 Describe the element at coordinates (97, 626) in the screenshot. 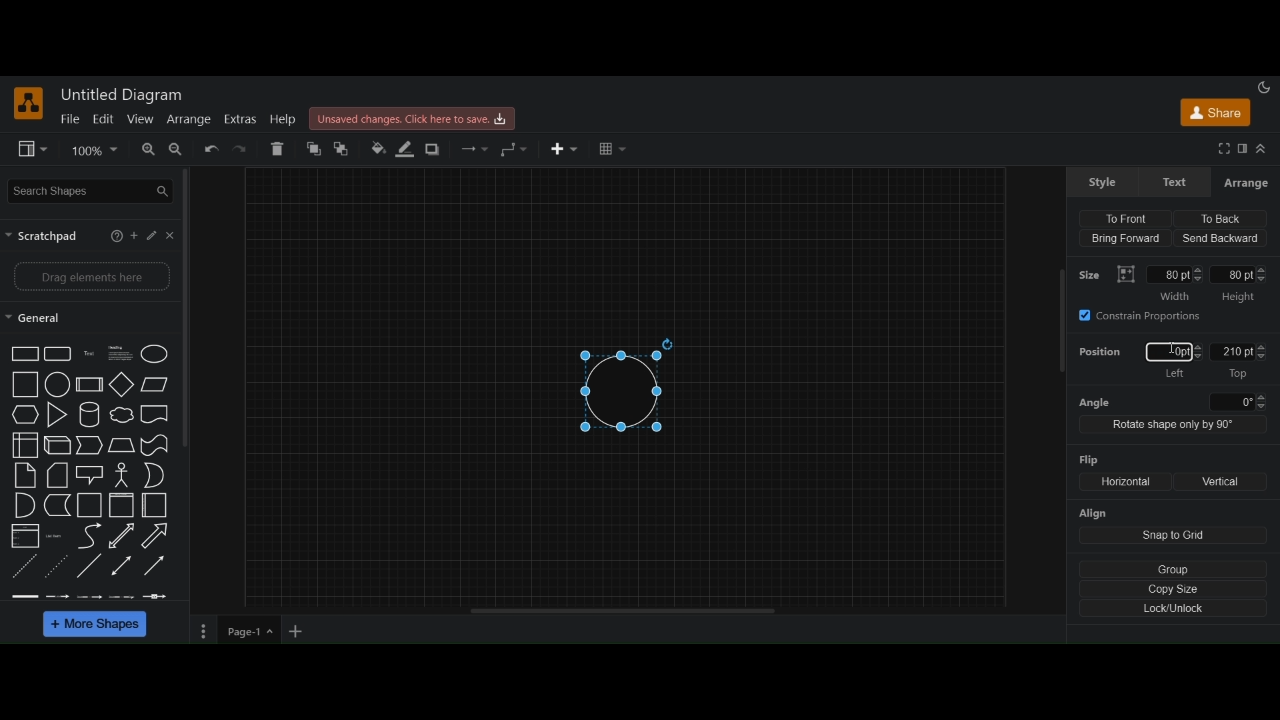

I see `more shapes` at that location.